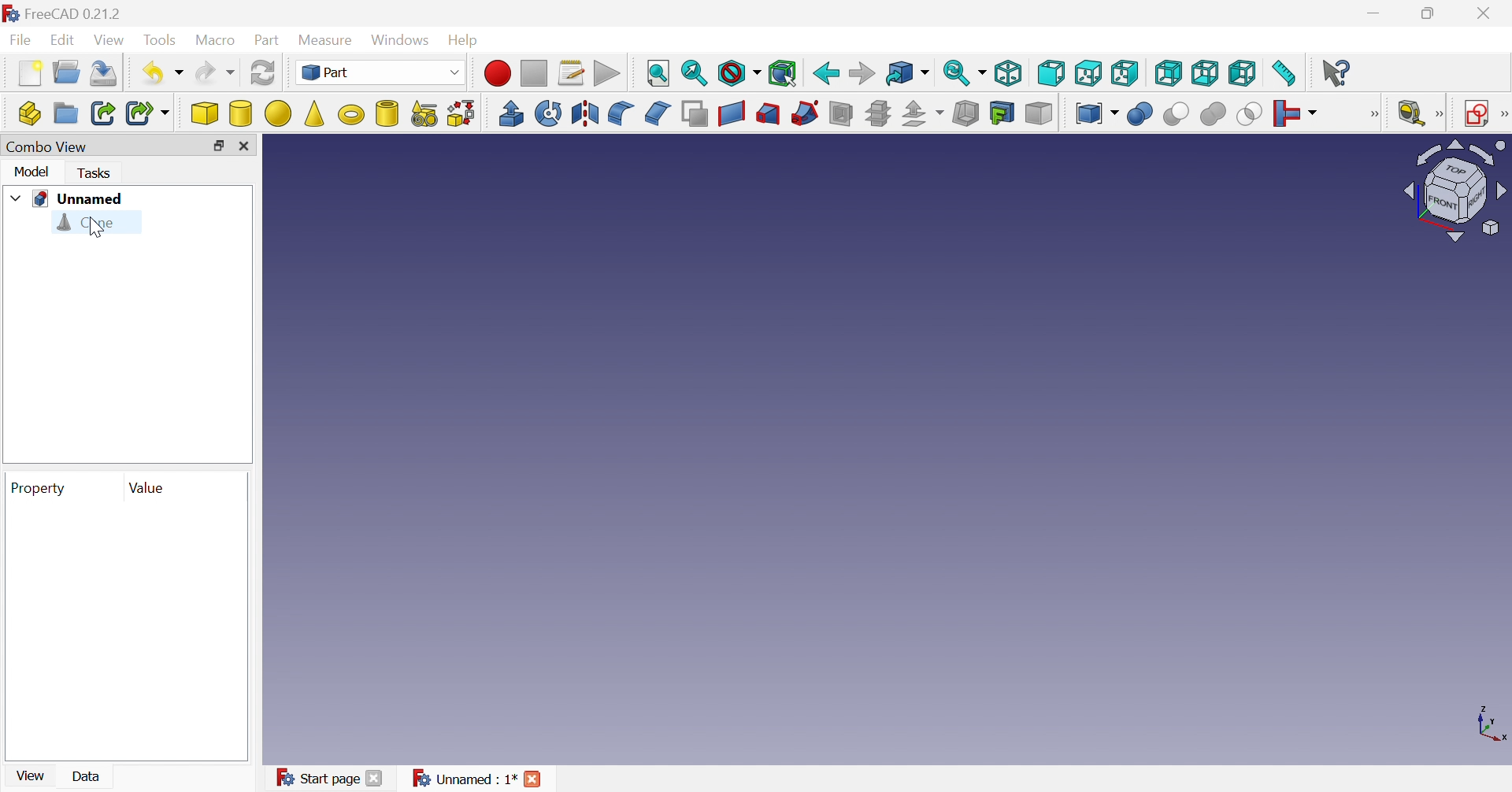 The image size is (1512, 792). I want to click on Loft, so click(767, 113).